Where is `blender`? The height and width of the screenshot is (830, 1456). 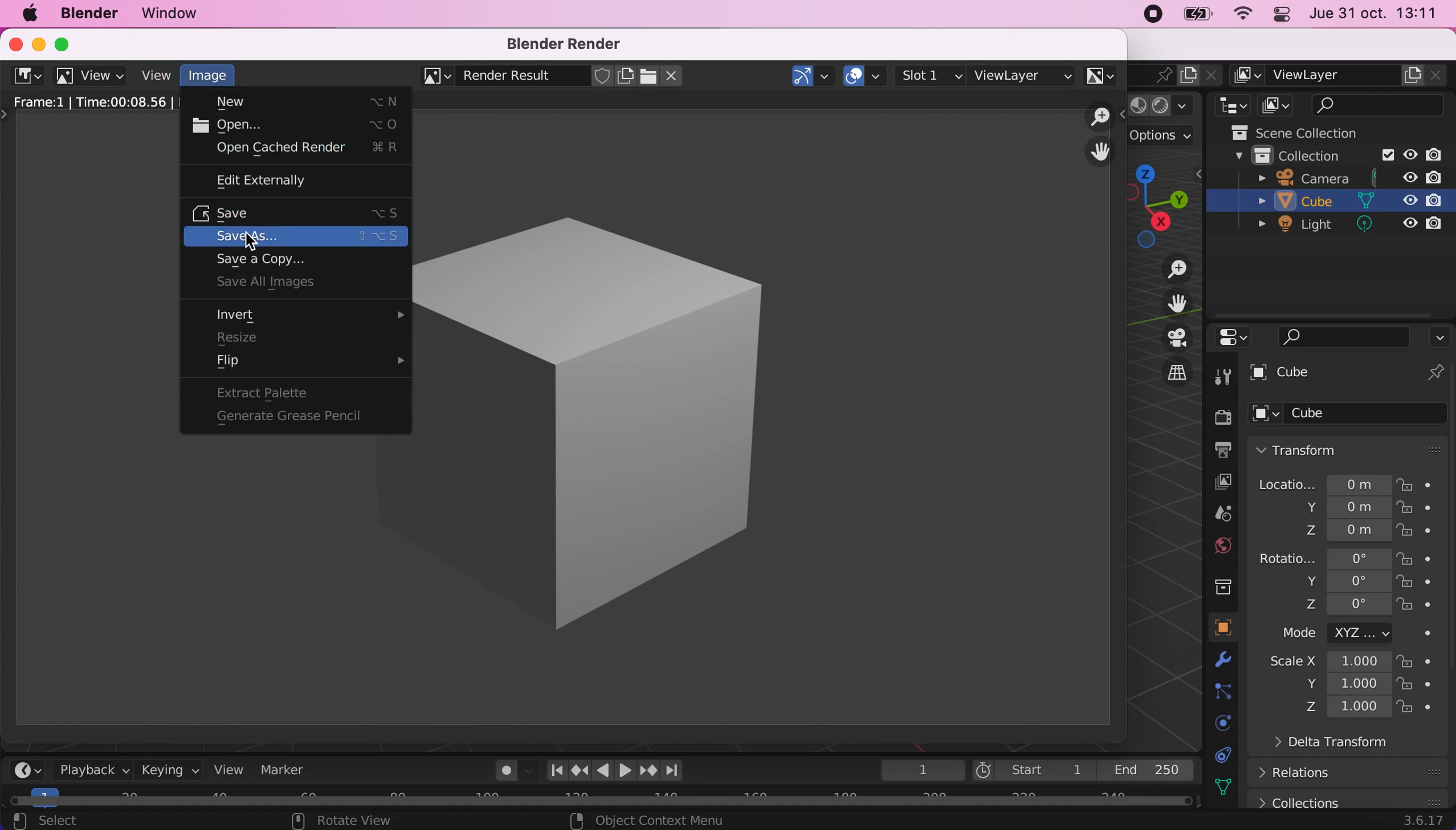 blender is located at coordinates (26, 75).